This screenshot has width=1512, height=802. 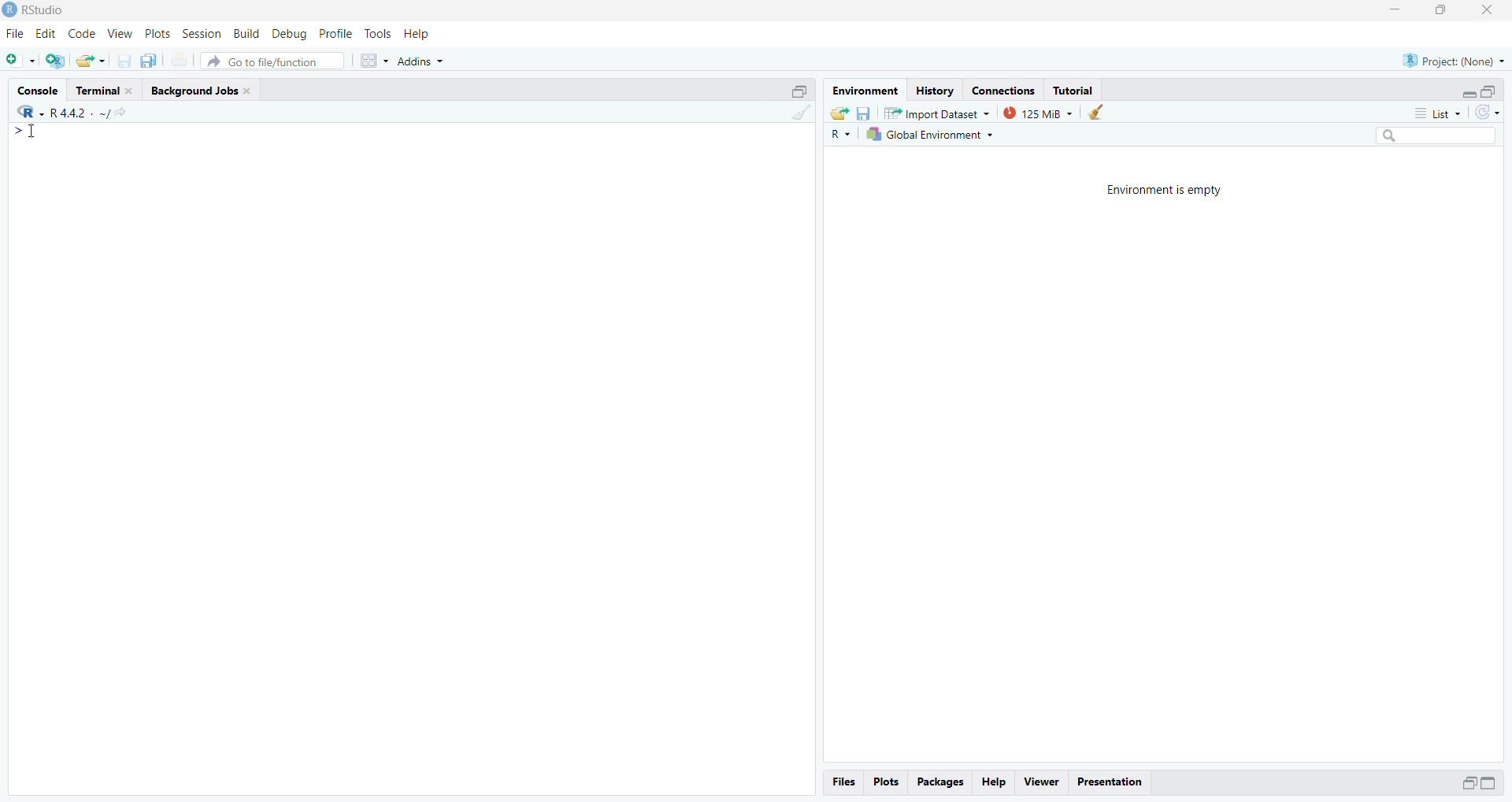 What do you see at coordinates (934, 89) in the screenshot?
I see `History` at bounding box center [934, 89].